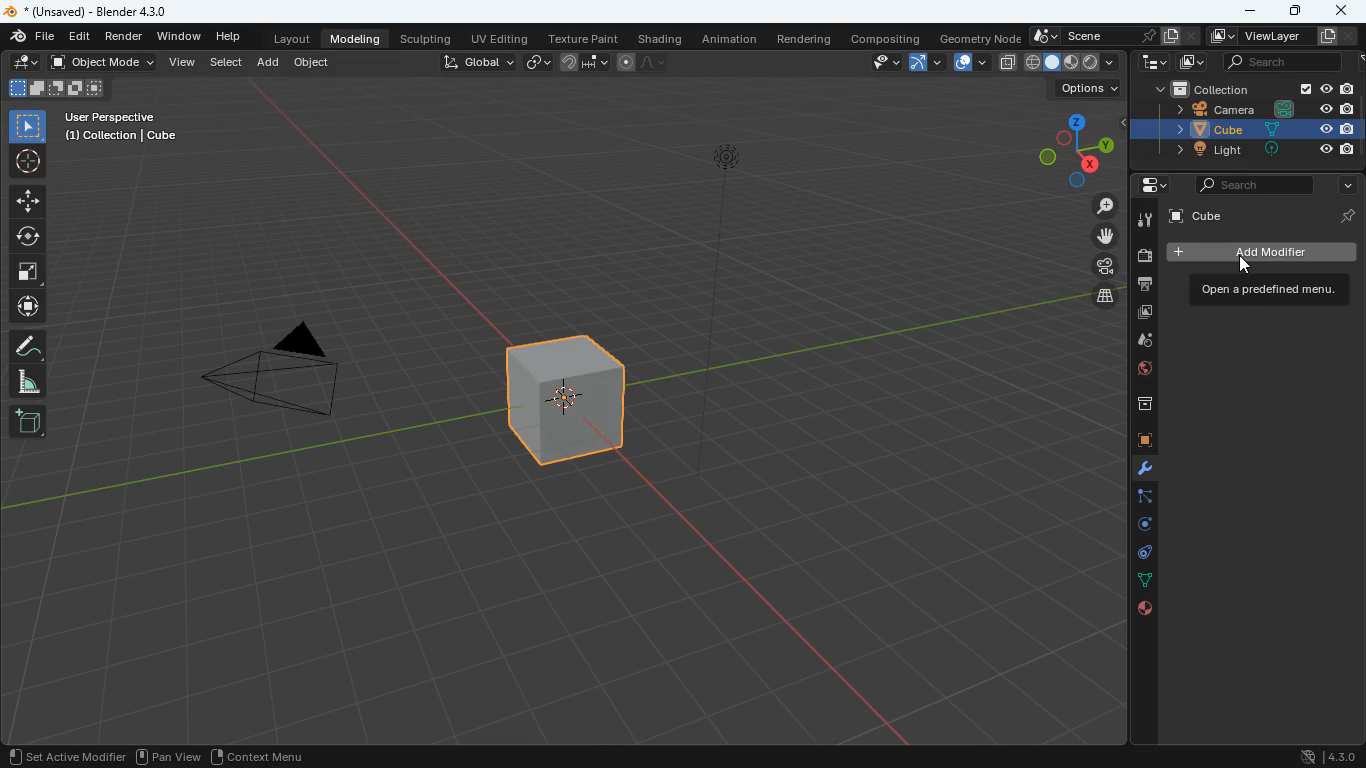  I want to click on photos, so click(1142, 314).